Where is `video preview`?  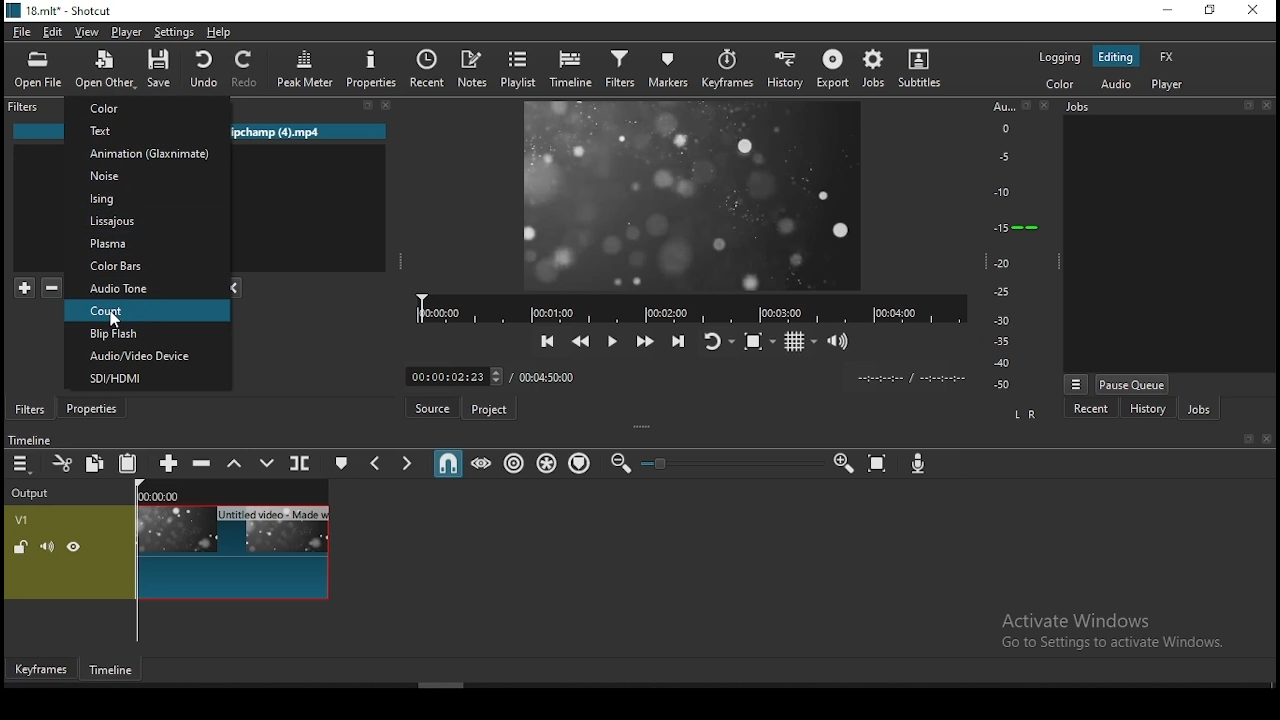
video preview is located at coordinates (700, 198).